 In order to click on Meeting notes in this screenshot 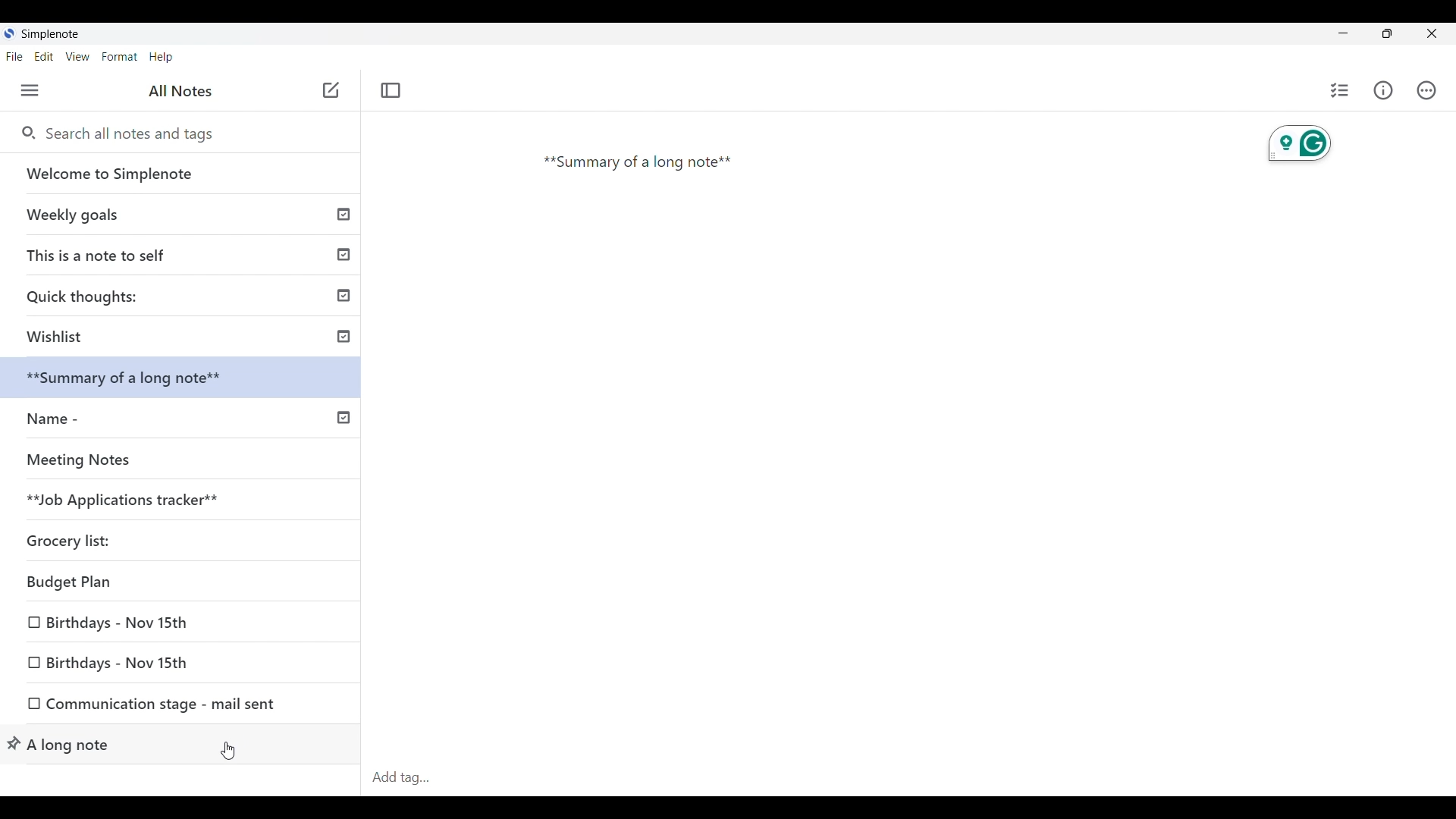, I will do `click(154, 460)`.